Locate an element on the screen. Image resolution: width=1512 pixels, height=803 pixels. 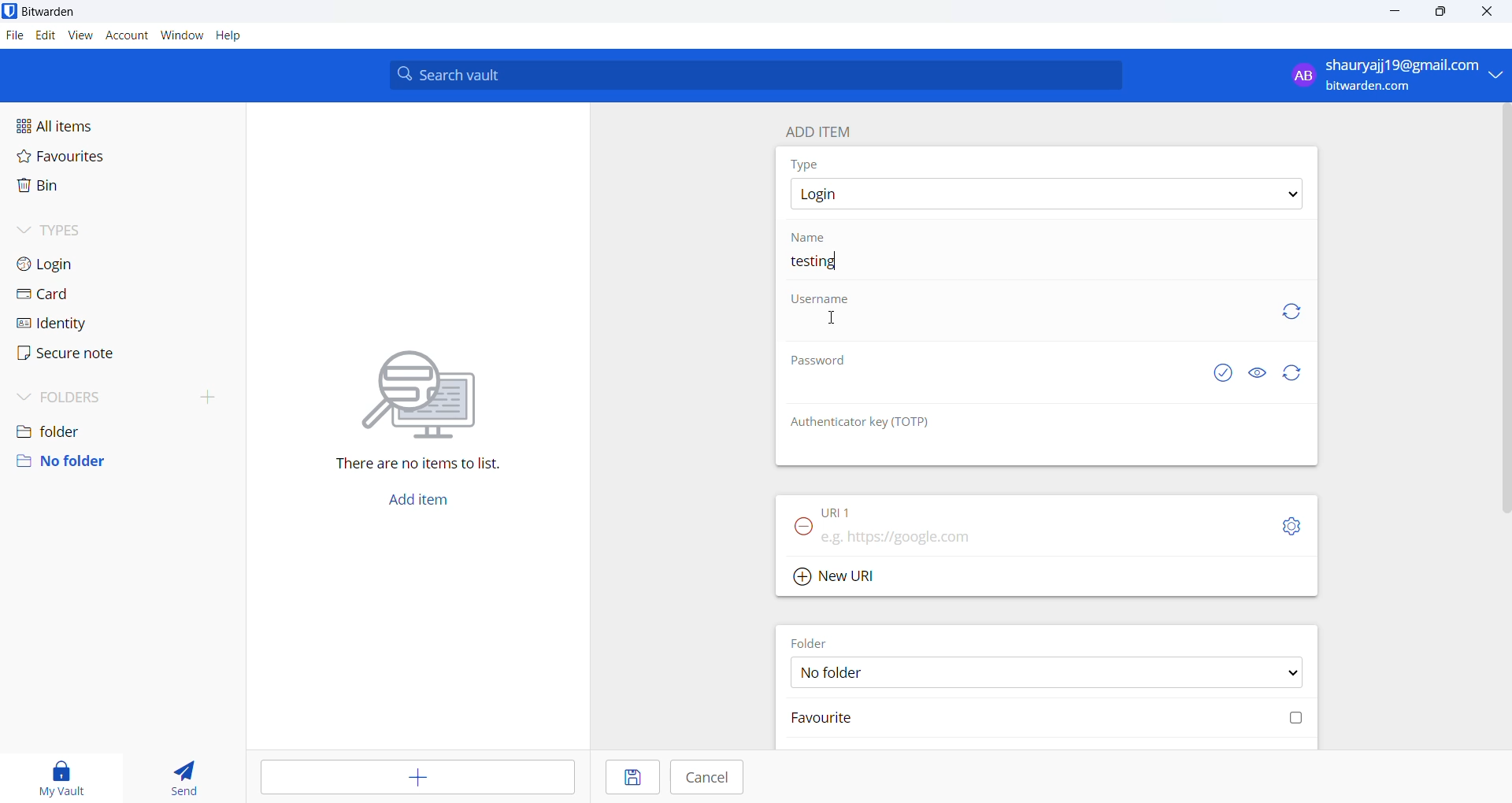
identity is located at coordinates (76, 324).